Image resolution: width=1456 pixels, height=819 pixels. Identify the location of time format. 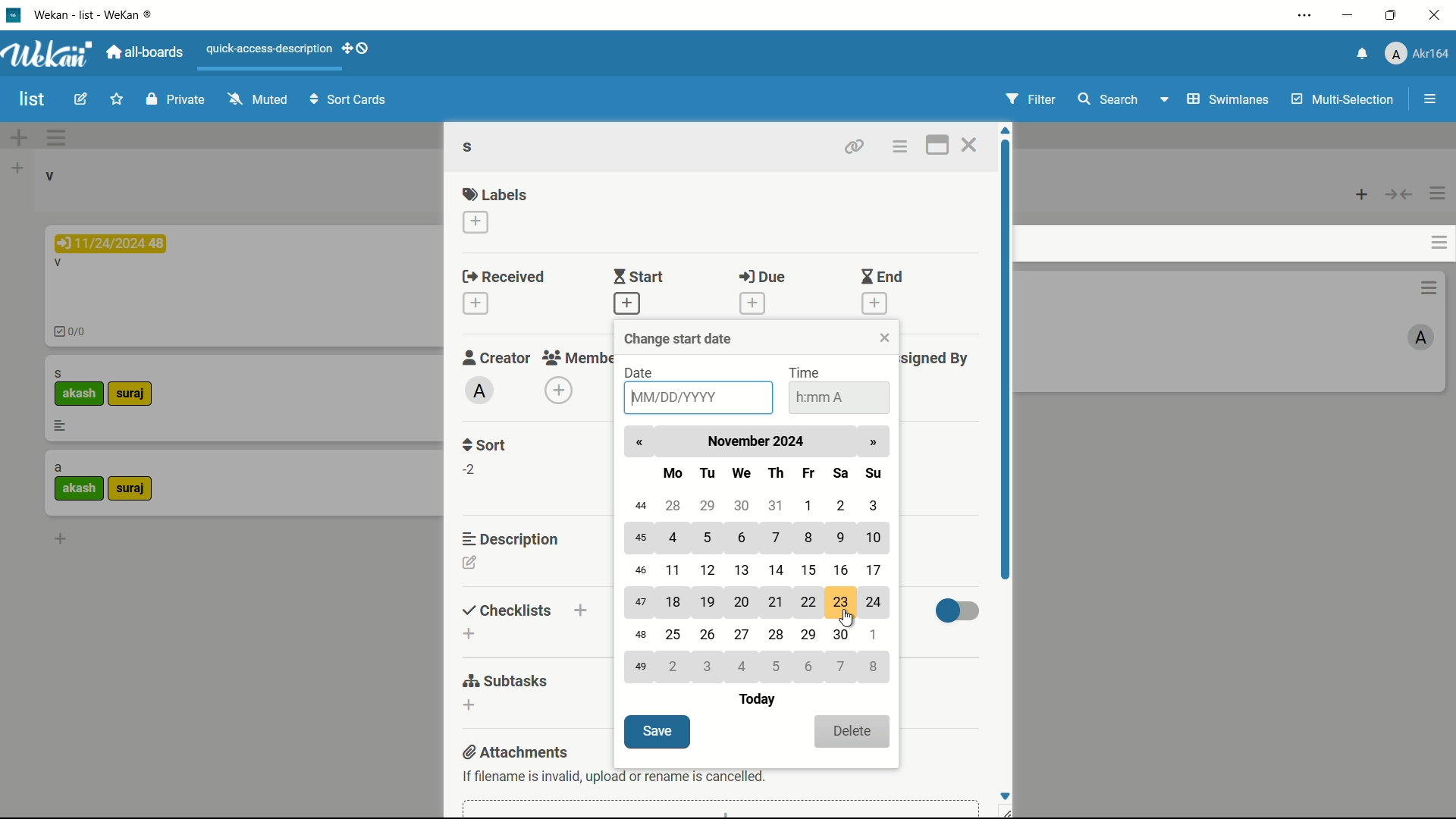
(816, 397).